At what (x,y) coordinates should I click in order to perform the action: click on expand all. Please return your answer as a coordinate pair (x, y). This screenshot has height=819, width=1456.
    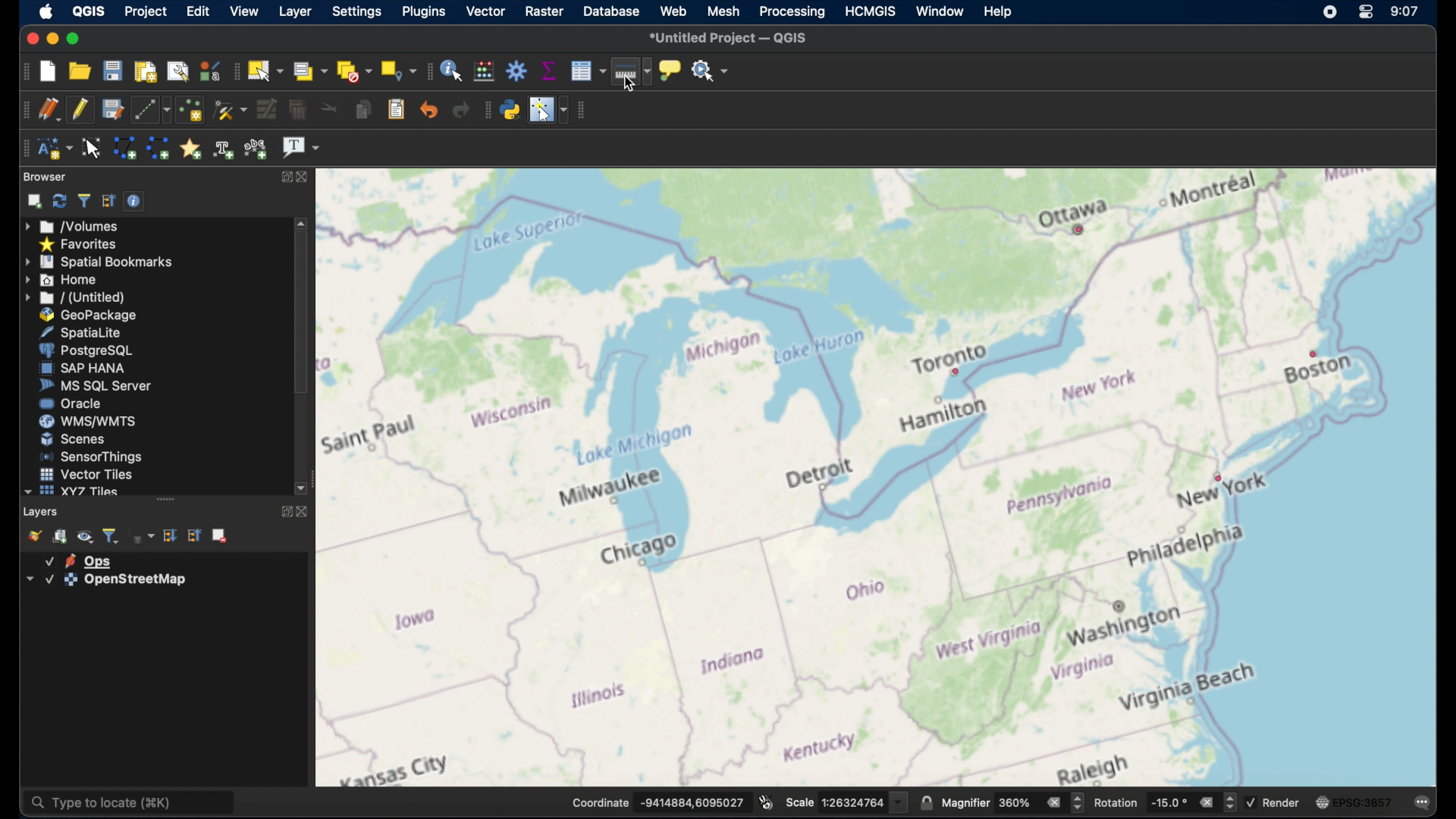
    Looking at the image, I should click on (171, 535).